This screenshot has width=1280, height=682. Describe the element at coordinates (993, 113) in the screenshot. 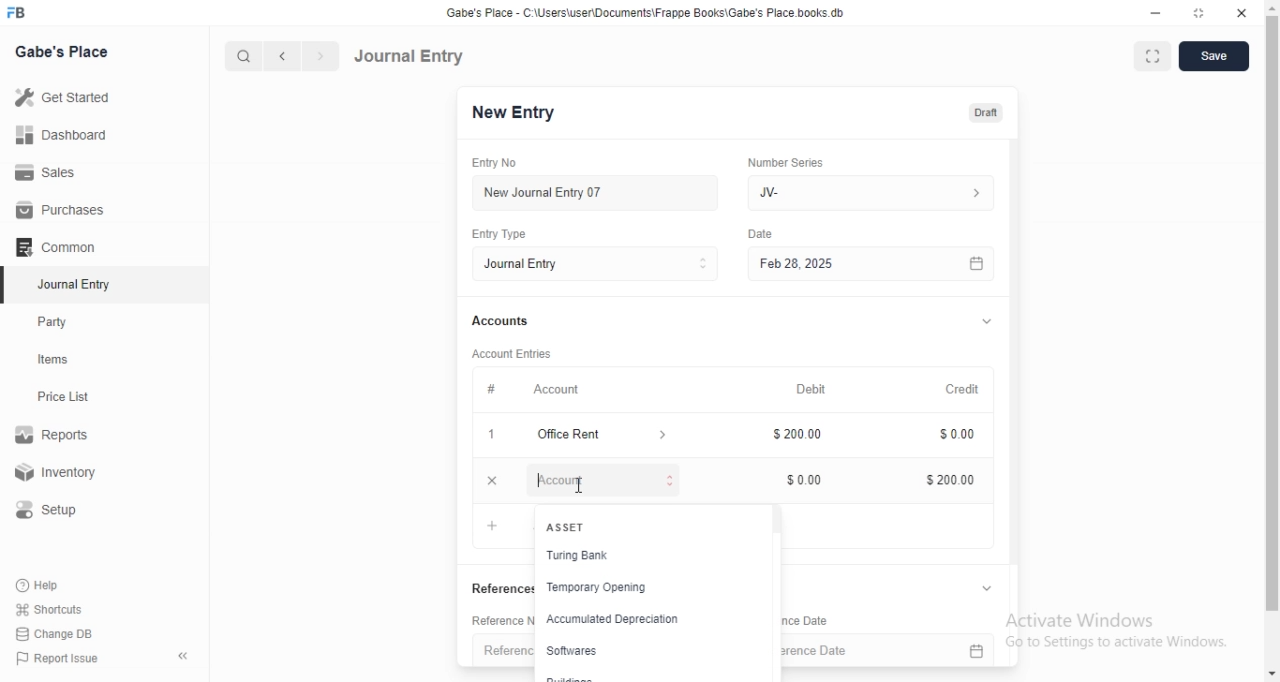

I see `Draft` at that location.